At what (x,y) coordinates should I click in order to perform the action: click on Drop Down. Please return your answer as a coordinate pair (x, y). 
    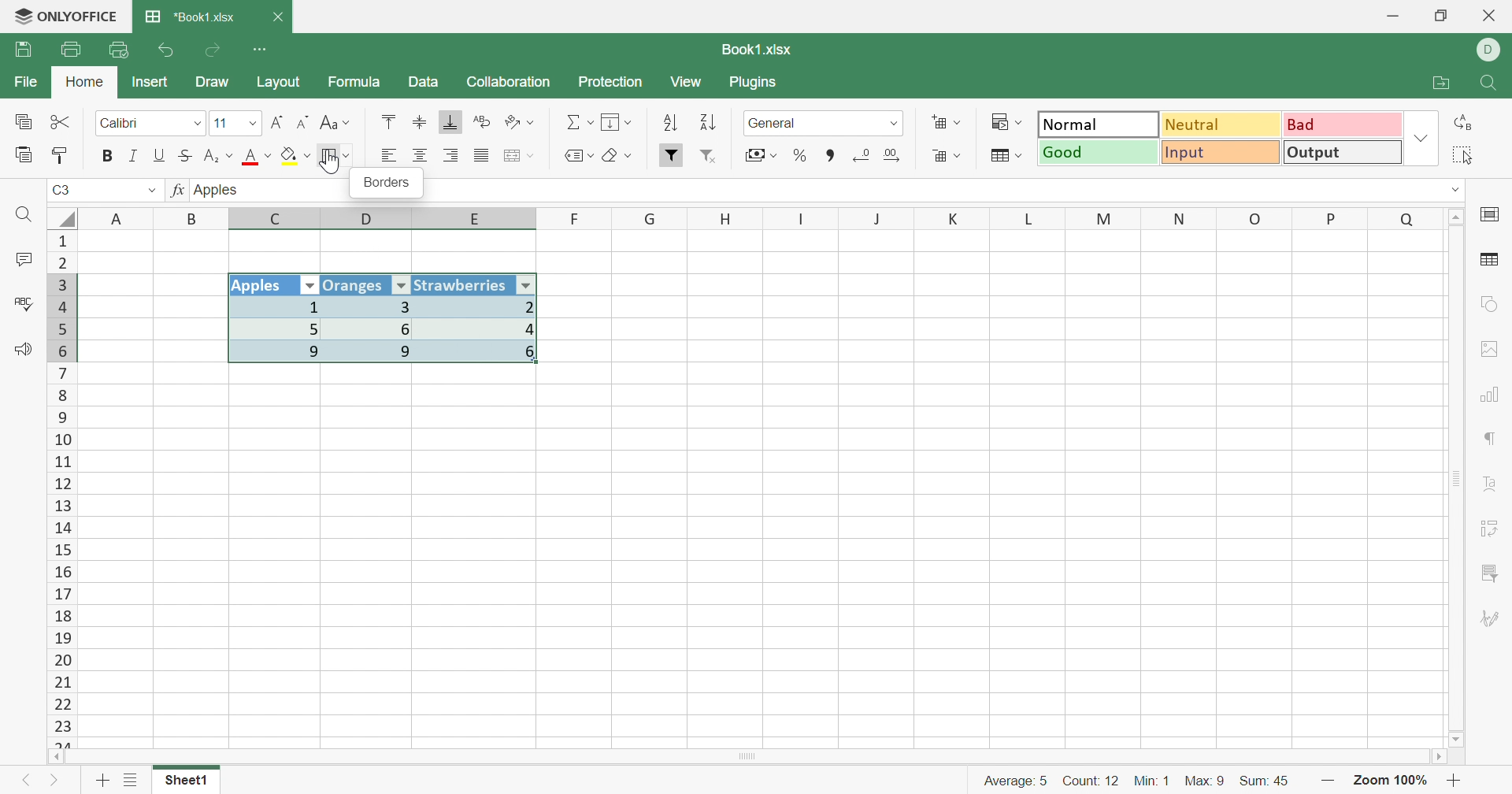
    Looking at the image, I should click on (1421, 140).